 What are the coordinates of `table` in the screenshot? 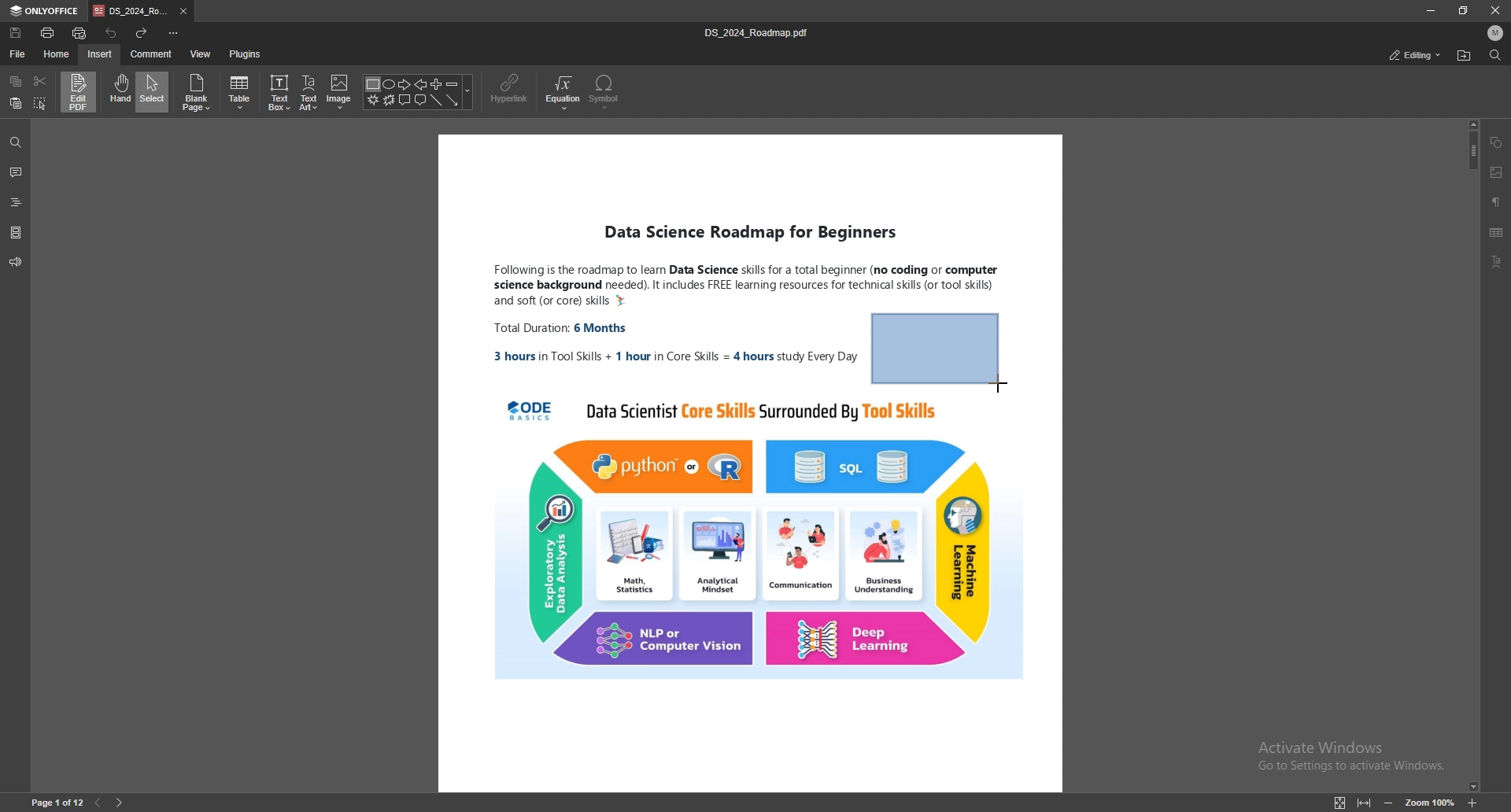 It's located at (242, 93).